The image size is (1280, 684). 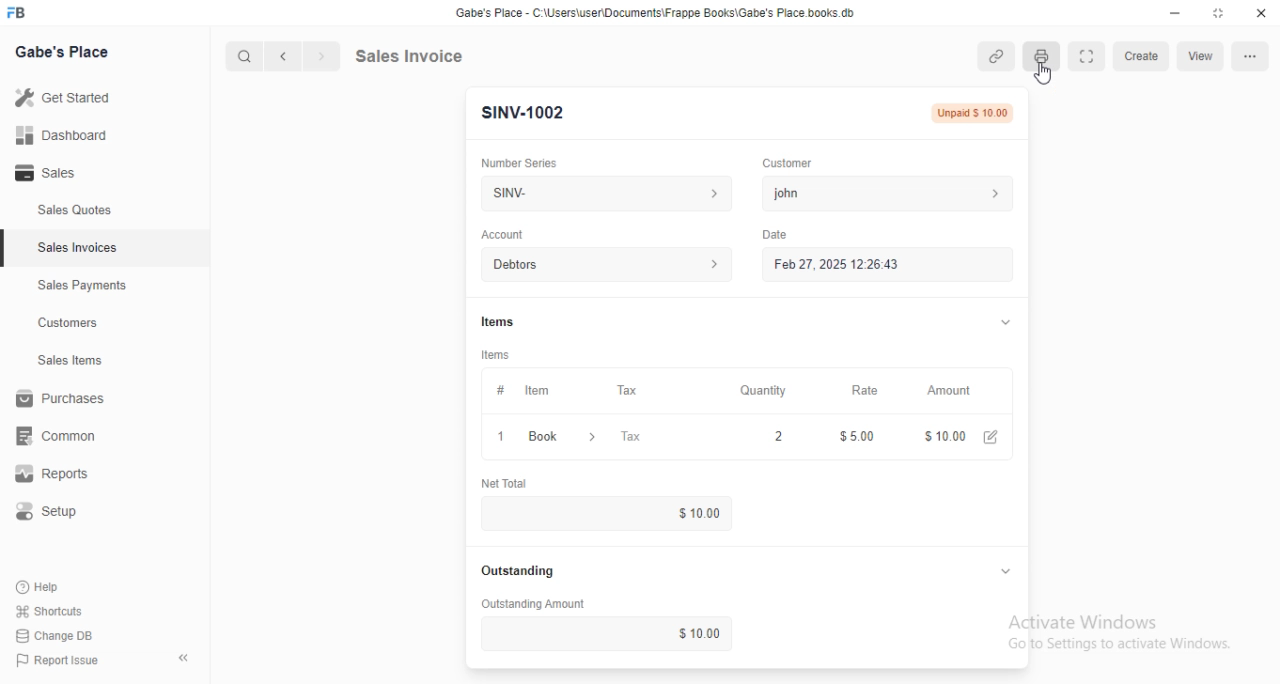 What do you see at coordinates (591, 436) in the screenshot?
I see `item information` at bounding box center [591, 436].